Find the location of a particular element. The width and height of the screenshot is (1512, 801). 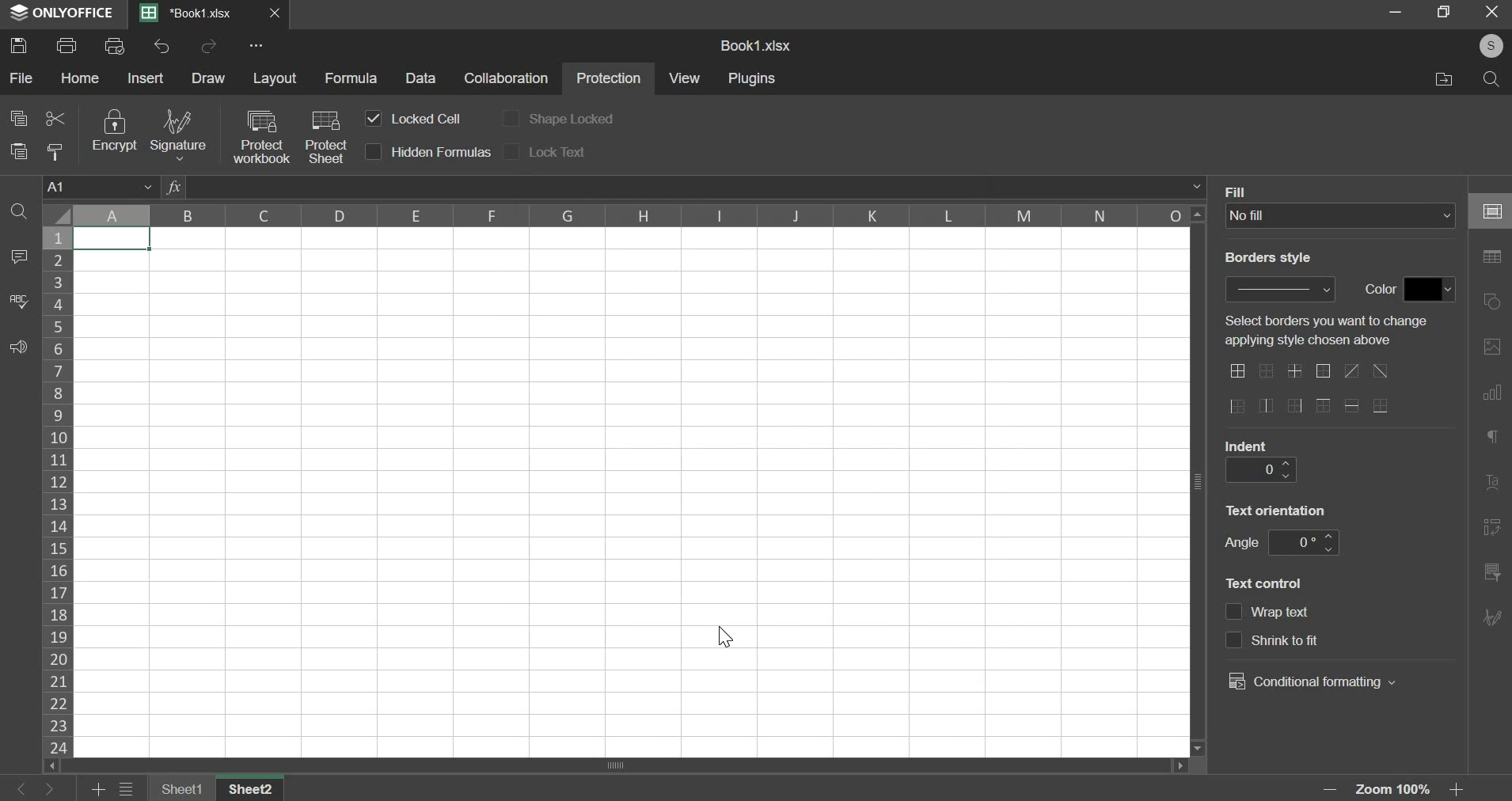

color is located at coordinates (1377, 290).